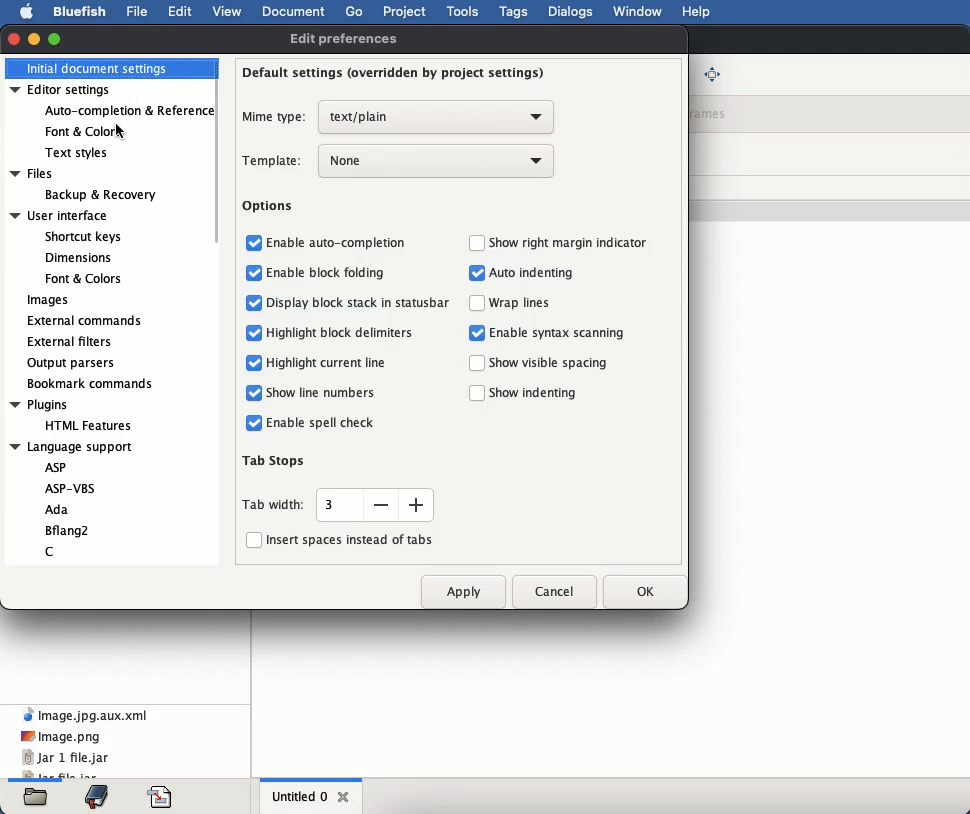 The width and height of the screenshot is (970, 814). What do you see at coordinates (464, 12) in the screenshot?
I see `tools` at bounding box center [464, 12].